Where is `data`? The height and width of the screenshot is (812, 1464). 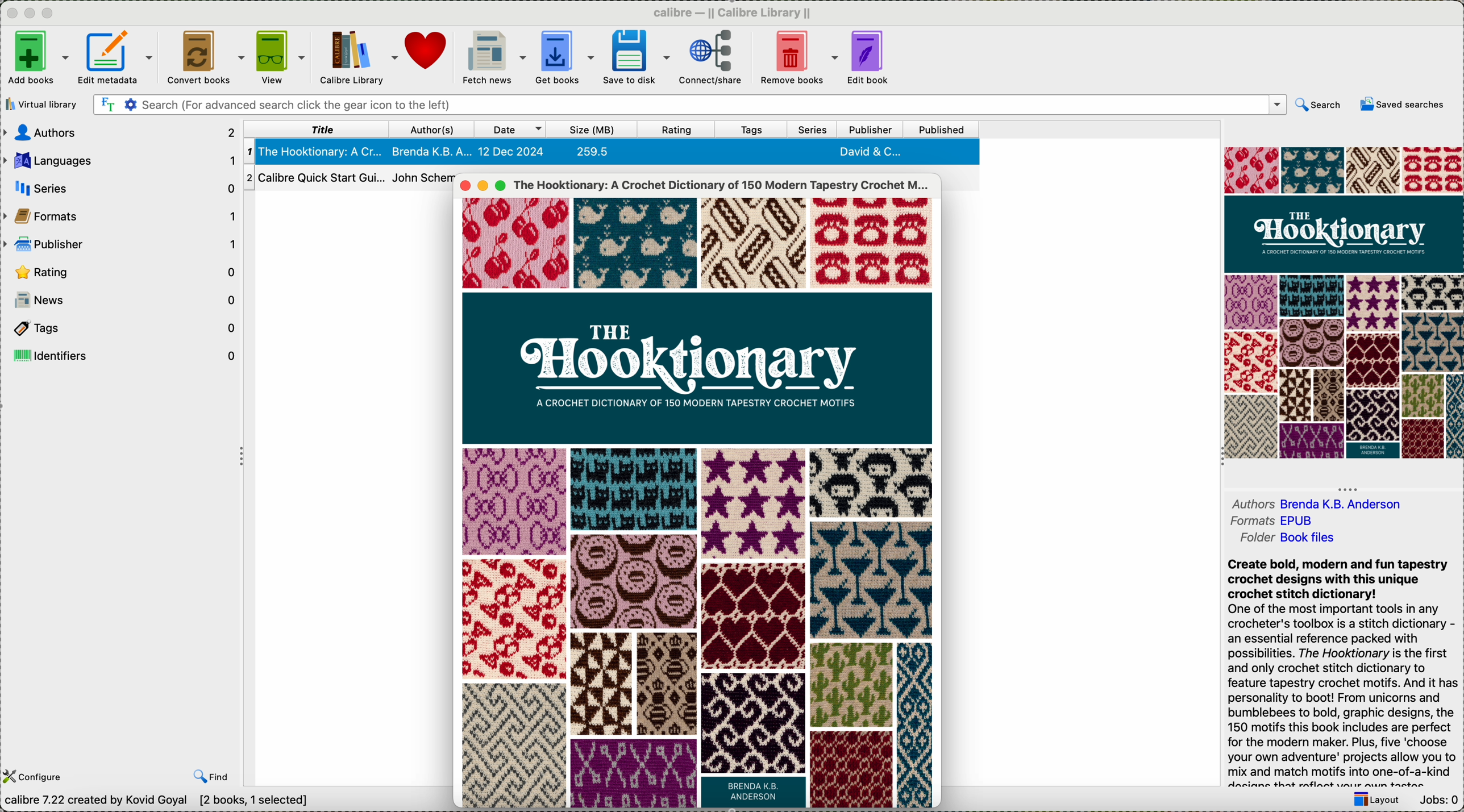 data is located at coordinates (160, 802).